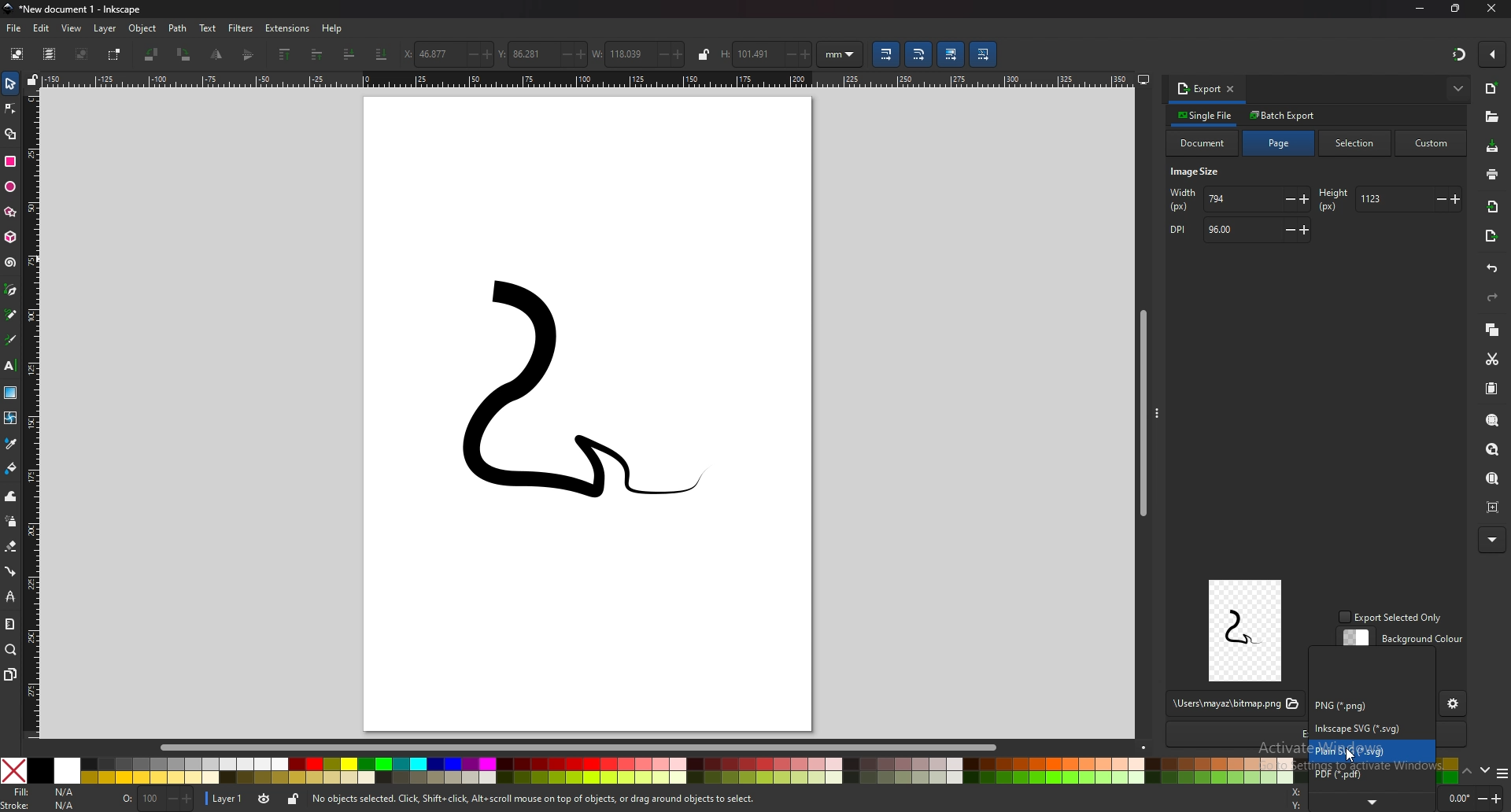 The height and width of the screenshot is (812, 1511). What do you see at coordinates (143, 29) in the screenshot?
I see `object` at bounding box center [143, 29].